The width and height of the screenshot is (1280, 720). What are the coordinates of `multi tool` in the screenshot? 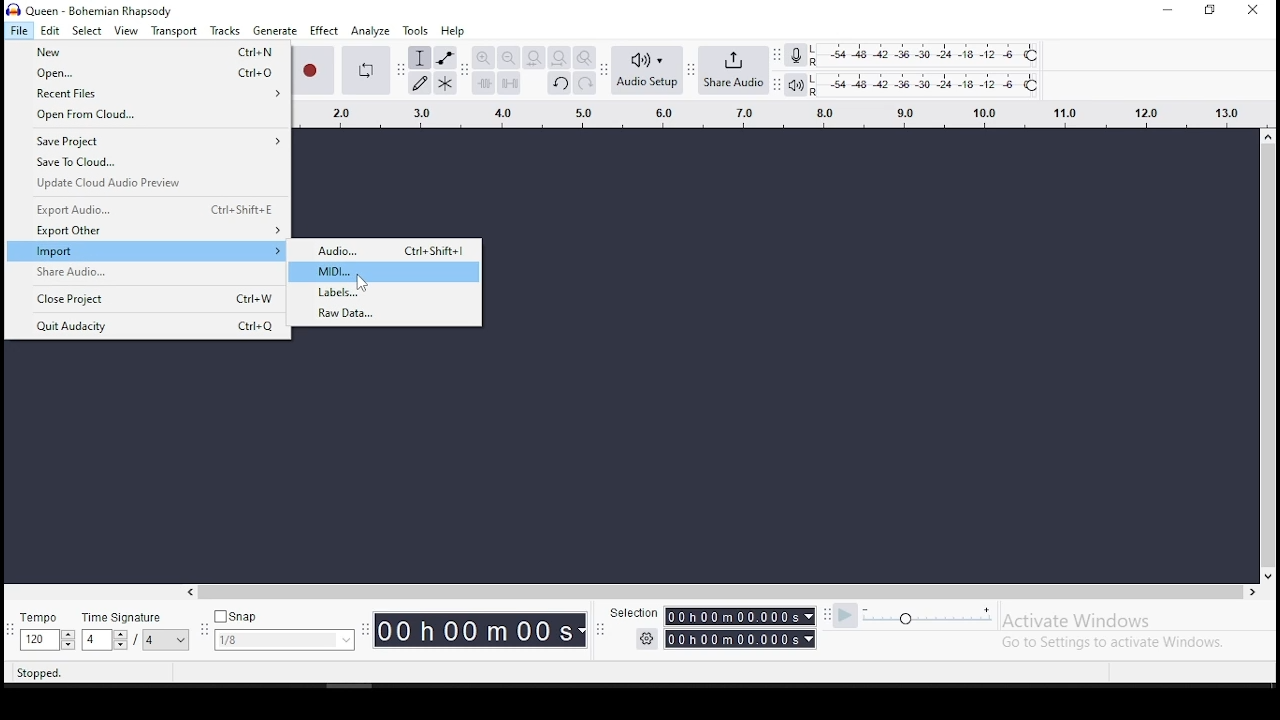 It's located at (446, 84).